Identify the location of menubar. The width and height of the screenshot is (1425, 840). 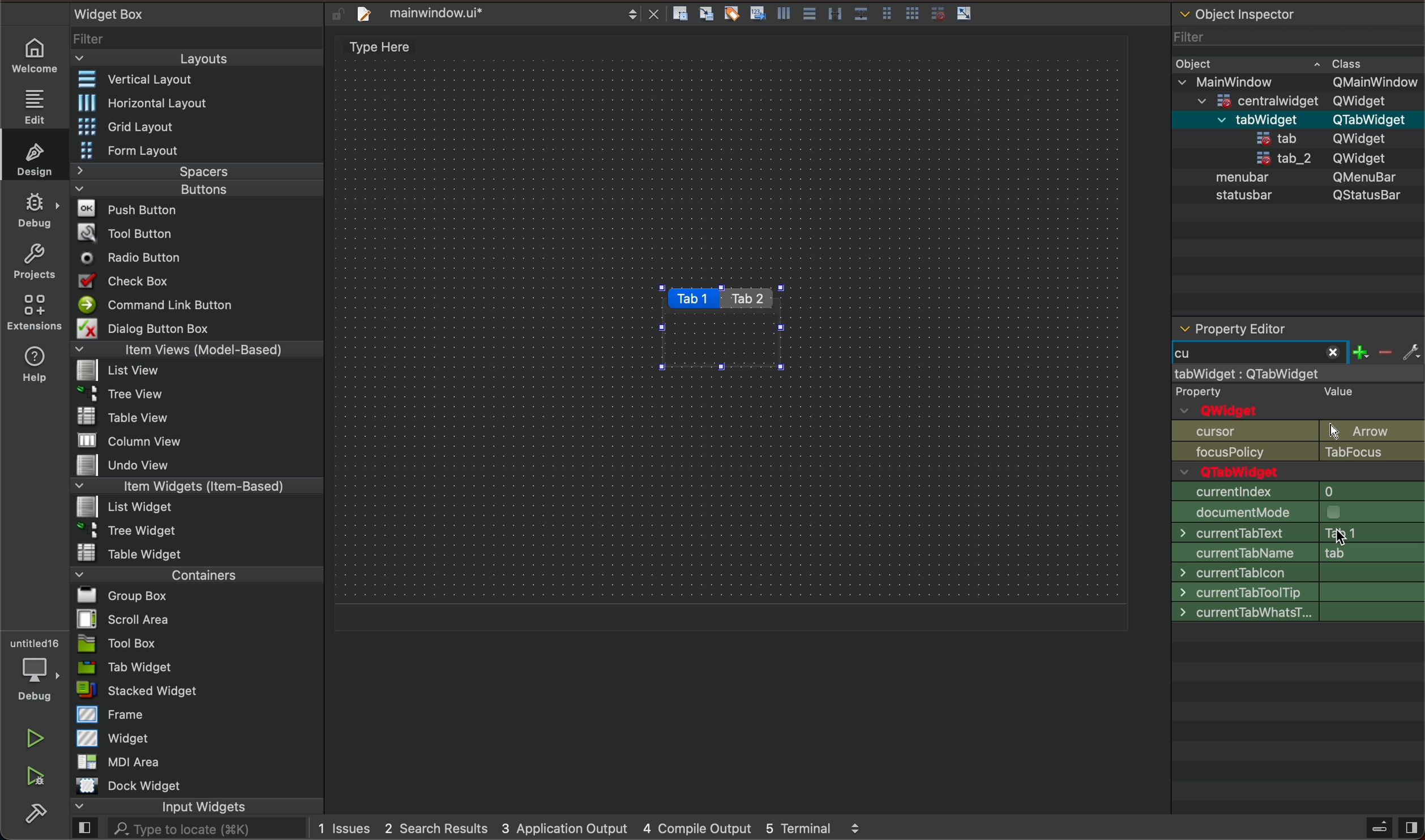
(1235, 179).